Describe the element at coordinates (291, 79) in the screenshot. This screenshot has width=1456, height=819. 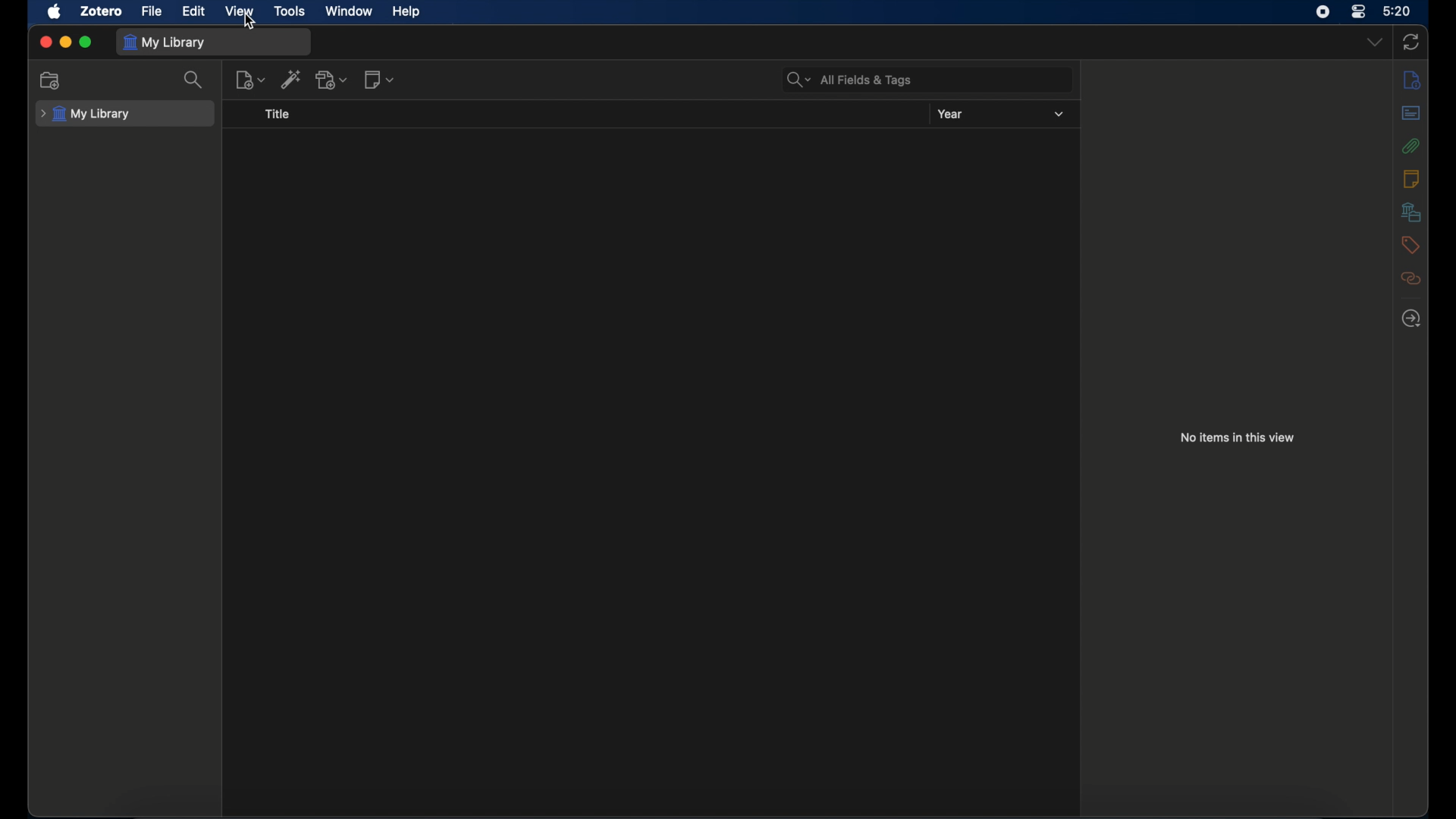
I see `add item by identifier` at that location.